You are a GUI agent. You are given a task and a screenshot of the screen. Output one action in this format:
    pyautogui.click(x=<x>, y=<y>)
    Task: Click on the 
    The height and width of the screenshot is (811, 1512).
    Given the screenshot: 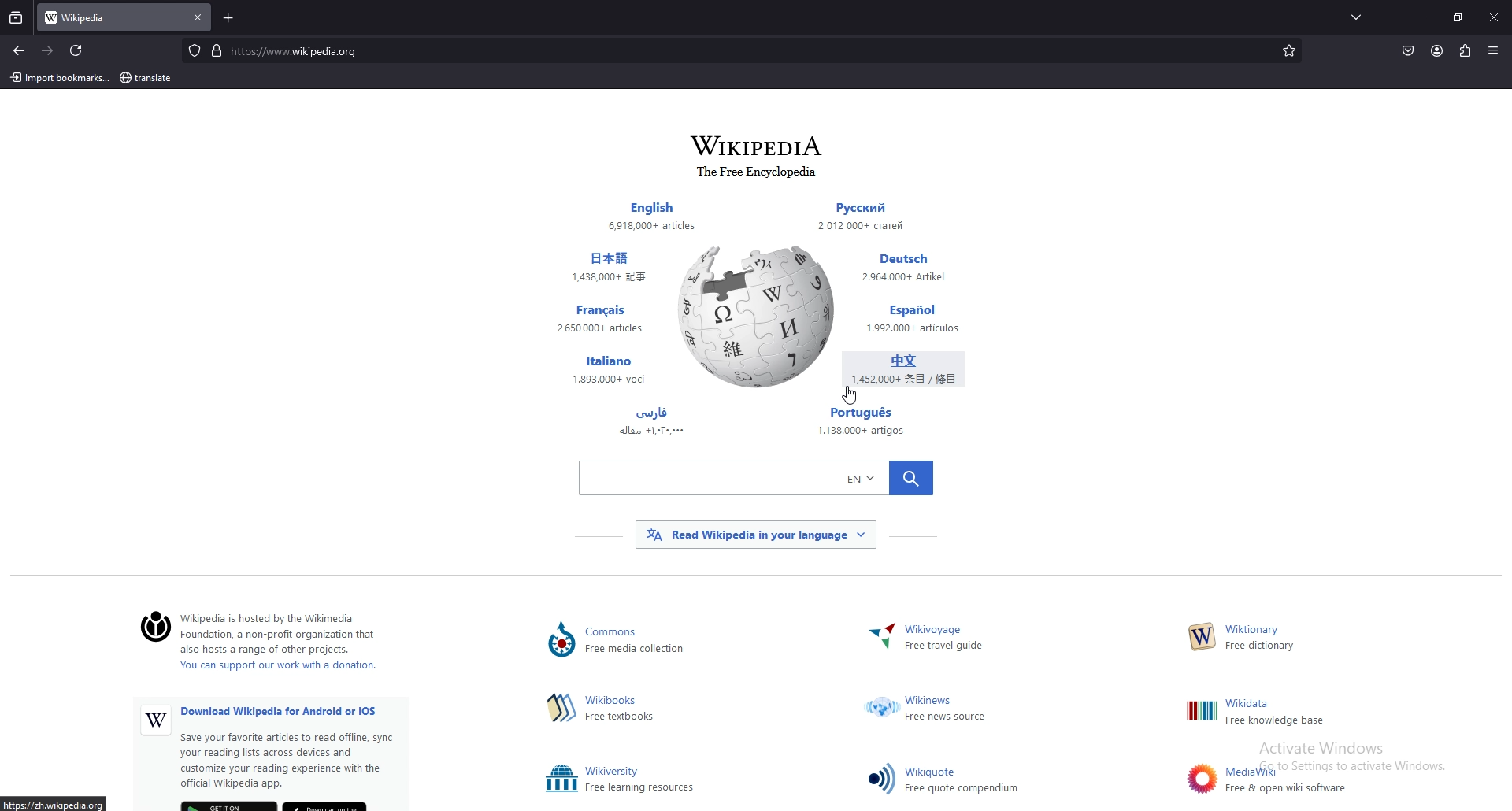 What is the action you would take?
    pyautogui.click(x=862, y=420)
    